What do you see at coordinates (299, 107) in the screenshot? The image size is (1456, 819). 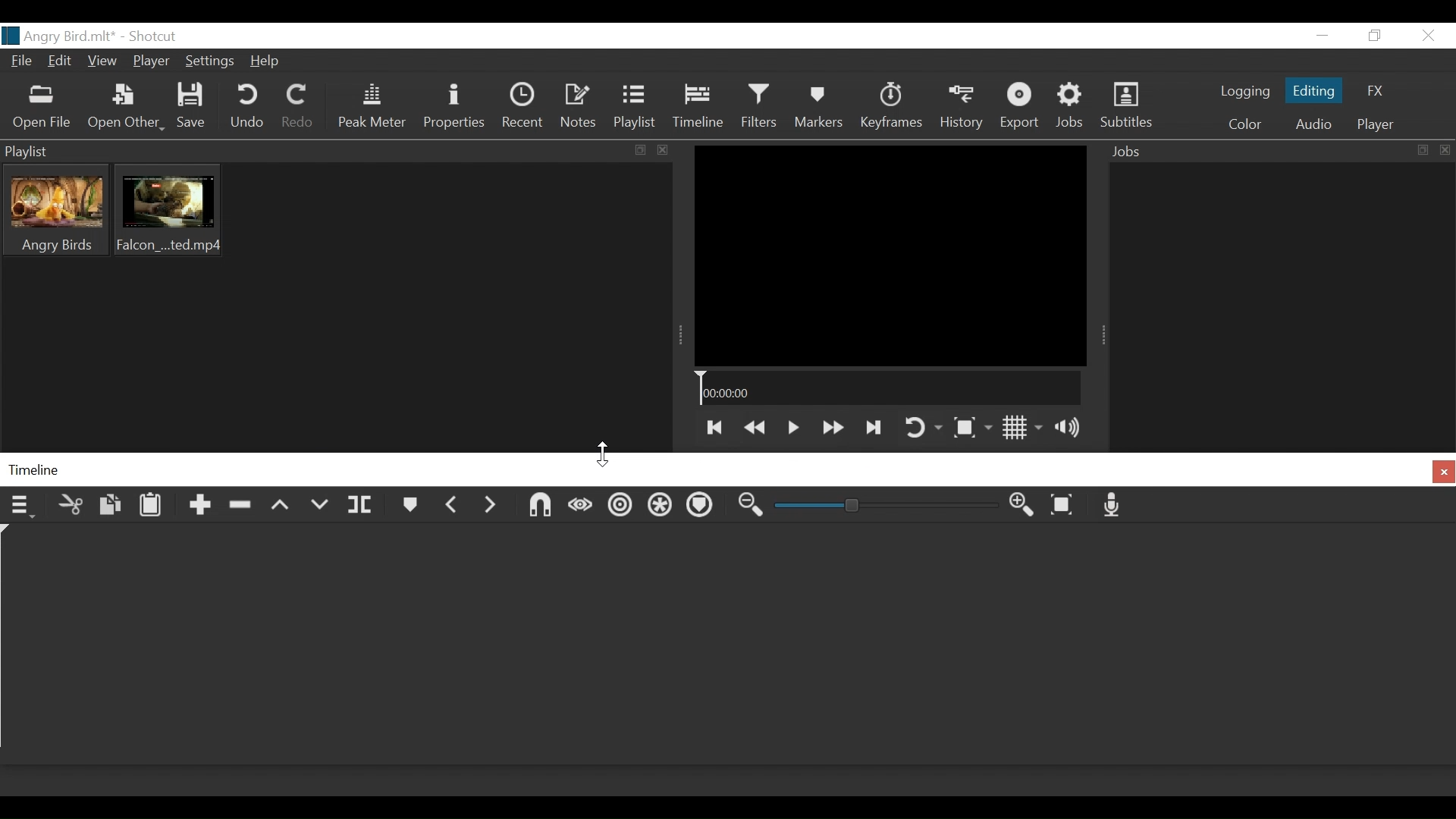 I see `Redo` at bounding box center [299, 107].